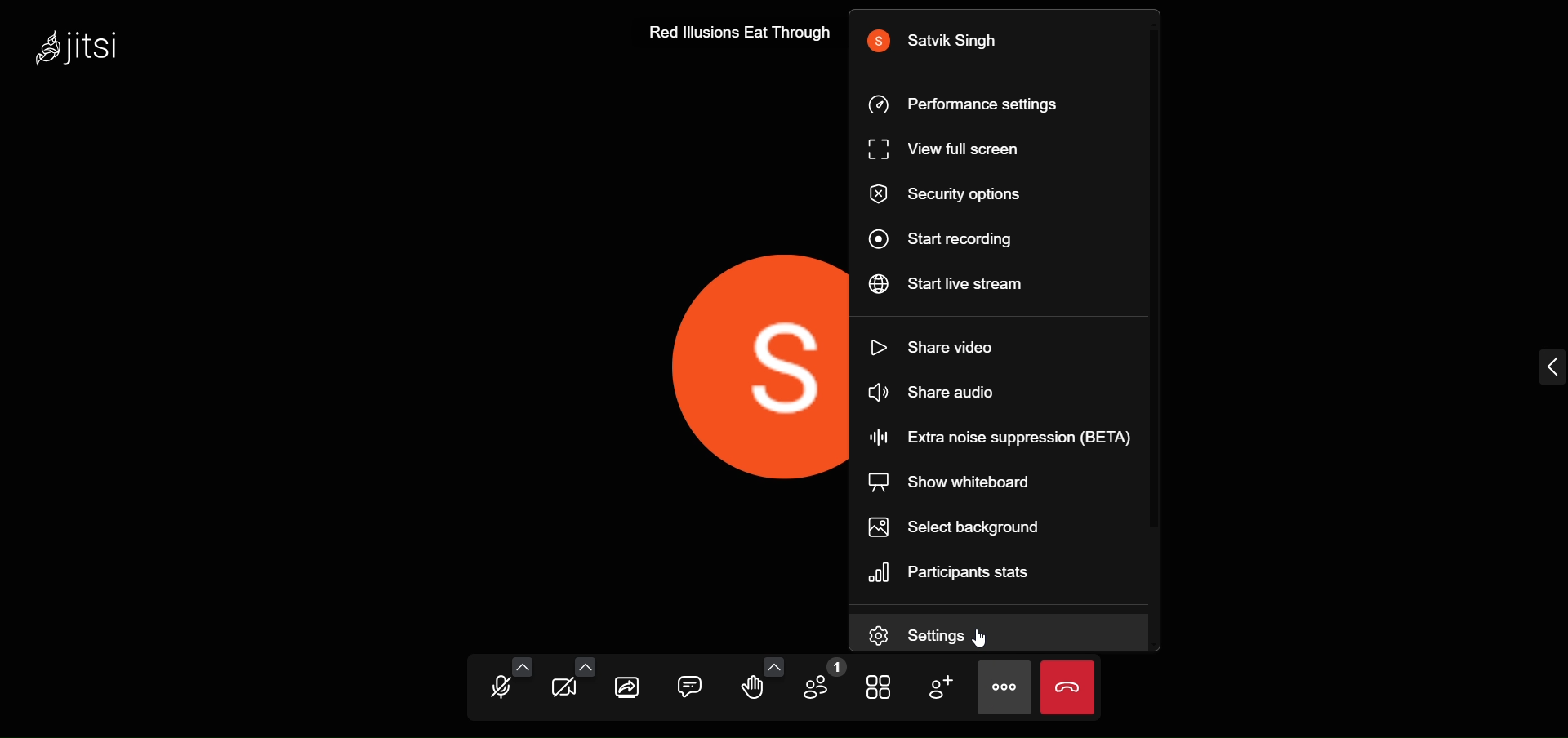 The height and width of the screenshot is (738, 1568). What do you see at coordinates (750, 691) in the screenshot?
I see `raise hand` at bounding box center [750, 691].